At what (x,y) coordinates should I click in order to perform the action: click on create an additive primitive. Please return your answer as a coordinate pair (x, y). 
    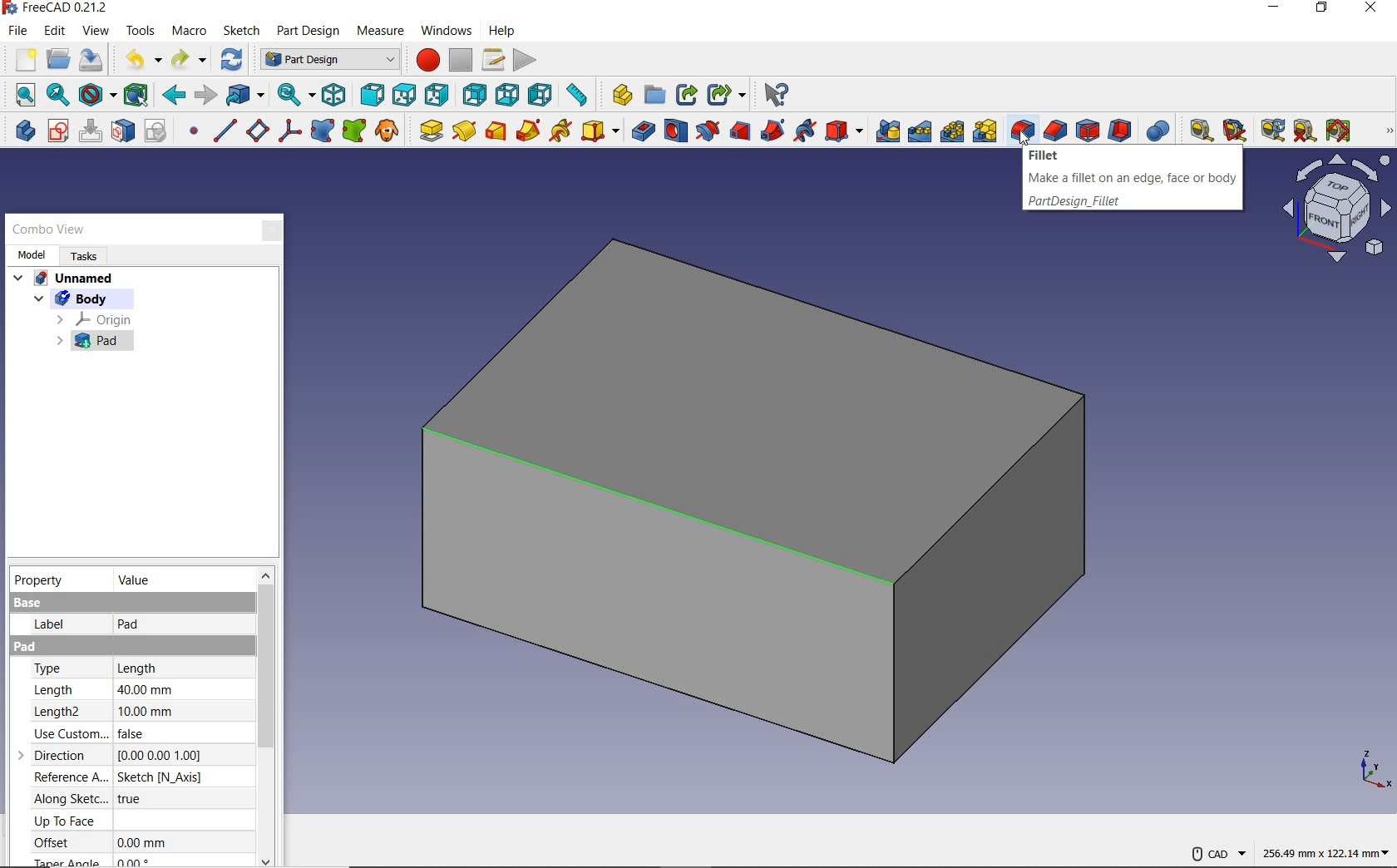
    Looking at the image, I should click on (600, 132).